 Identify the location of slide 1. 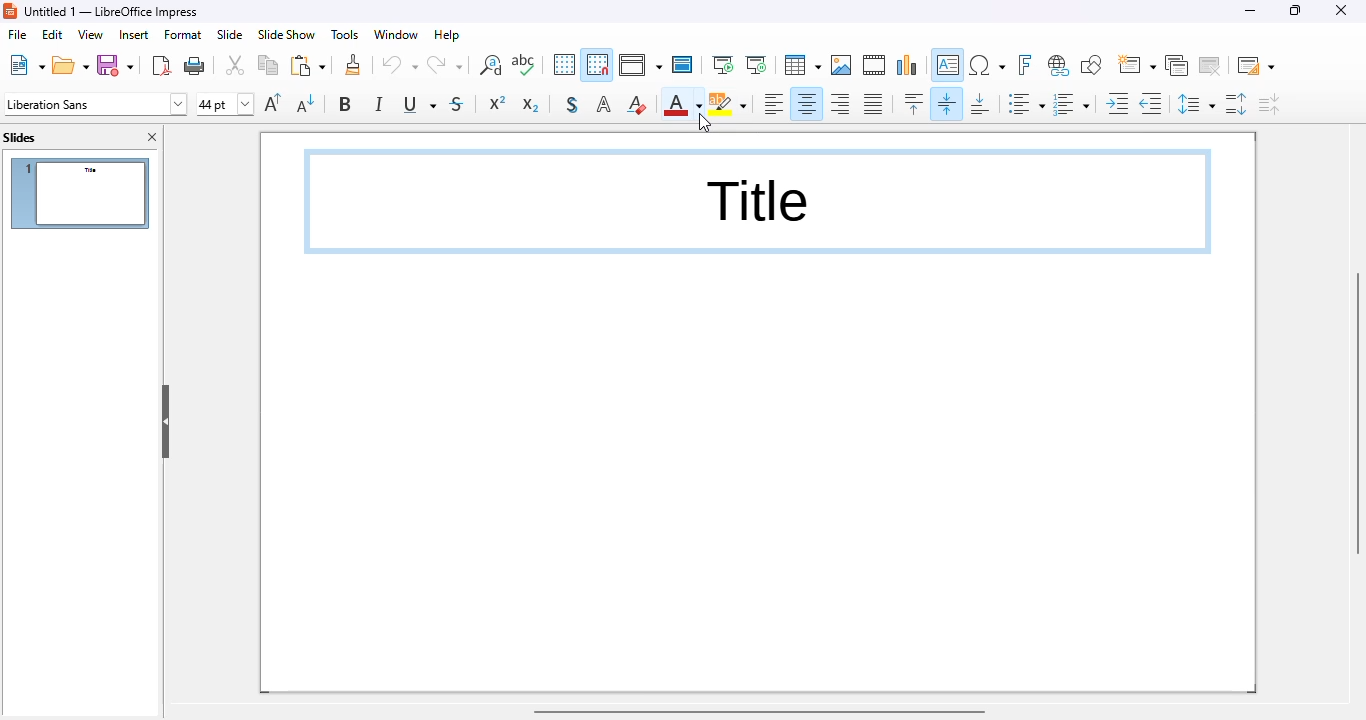
(80, 193).